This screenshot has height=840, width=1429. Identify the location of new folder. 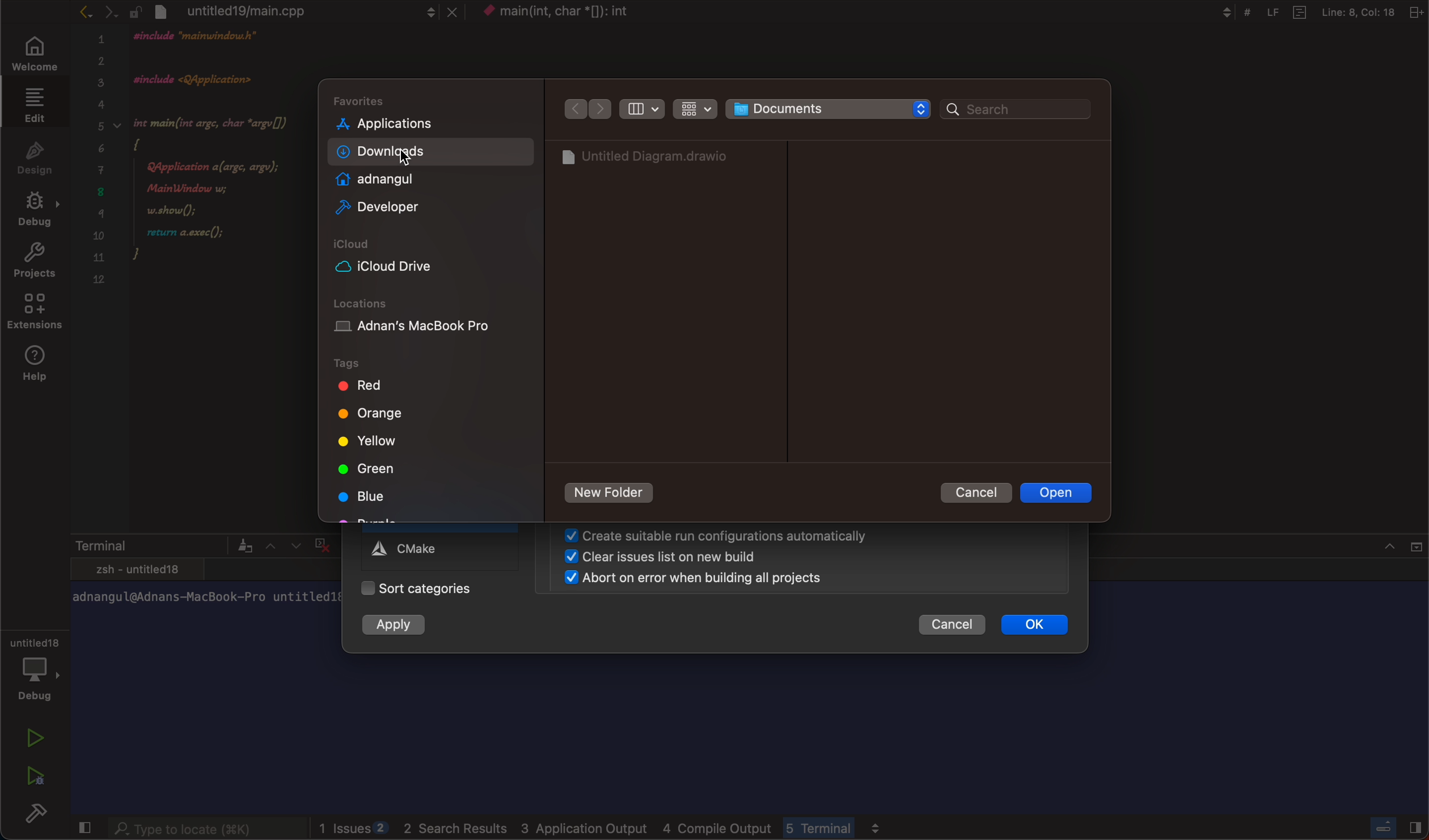
(610, 493).